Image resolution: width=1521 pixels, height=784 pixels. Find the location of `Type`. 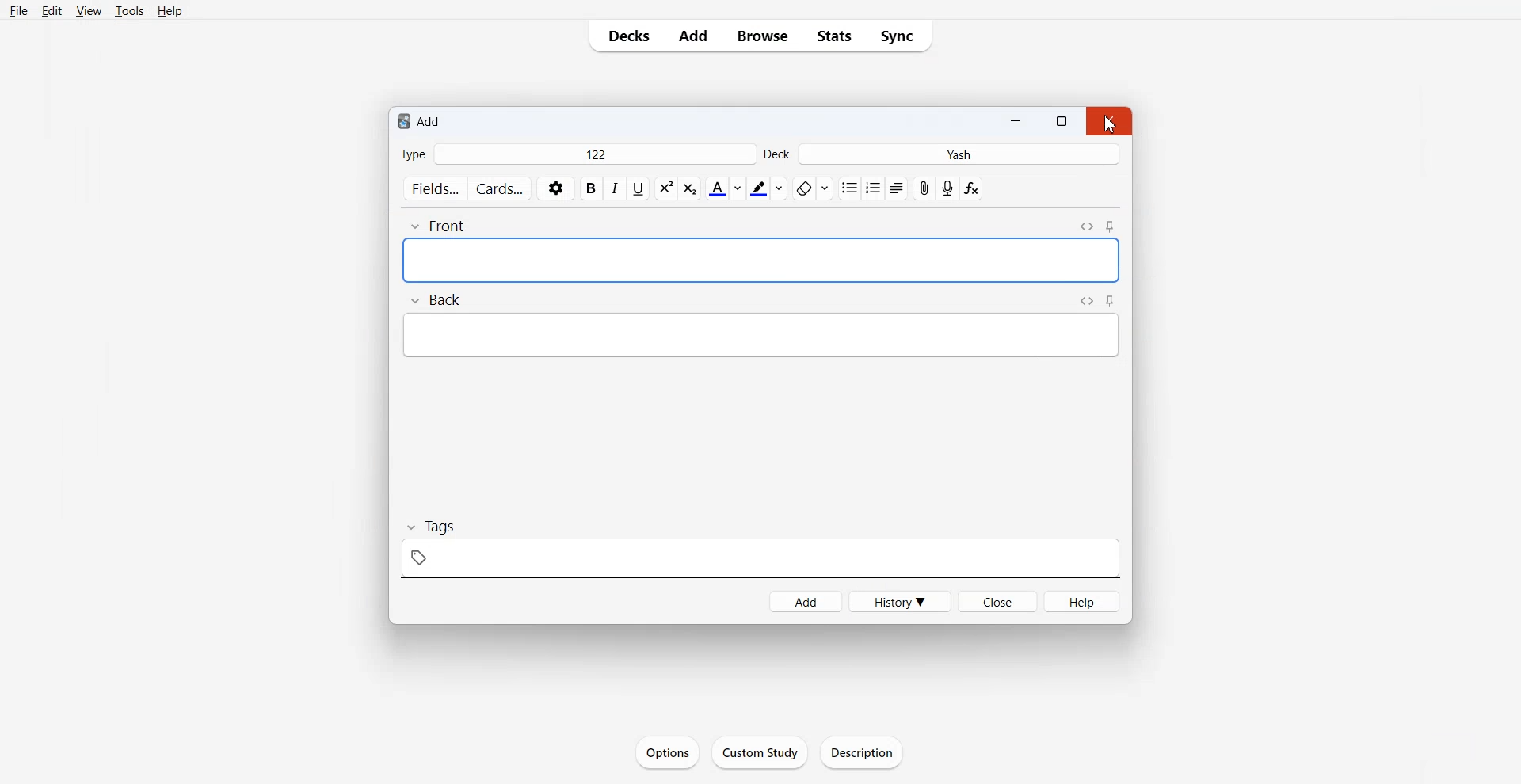

Type is located at coordinates (413, 154).